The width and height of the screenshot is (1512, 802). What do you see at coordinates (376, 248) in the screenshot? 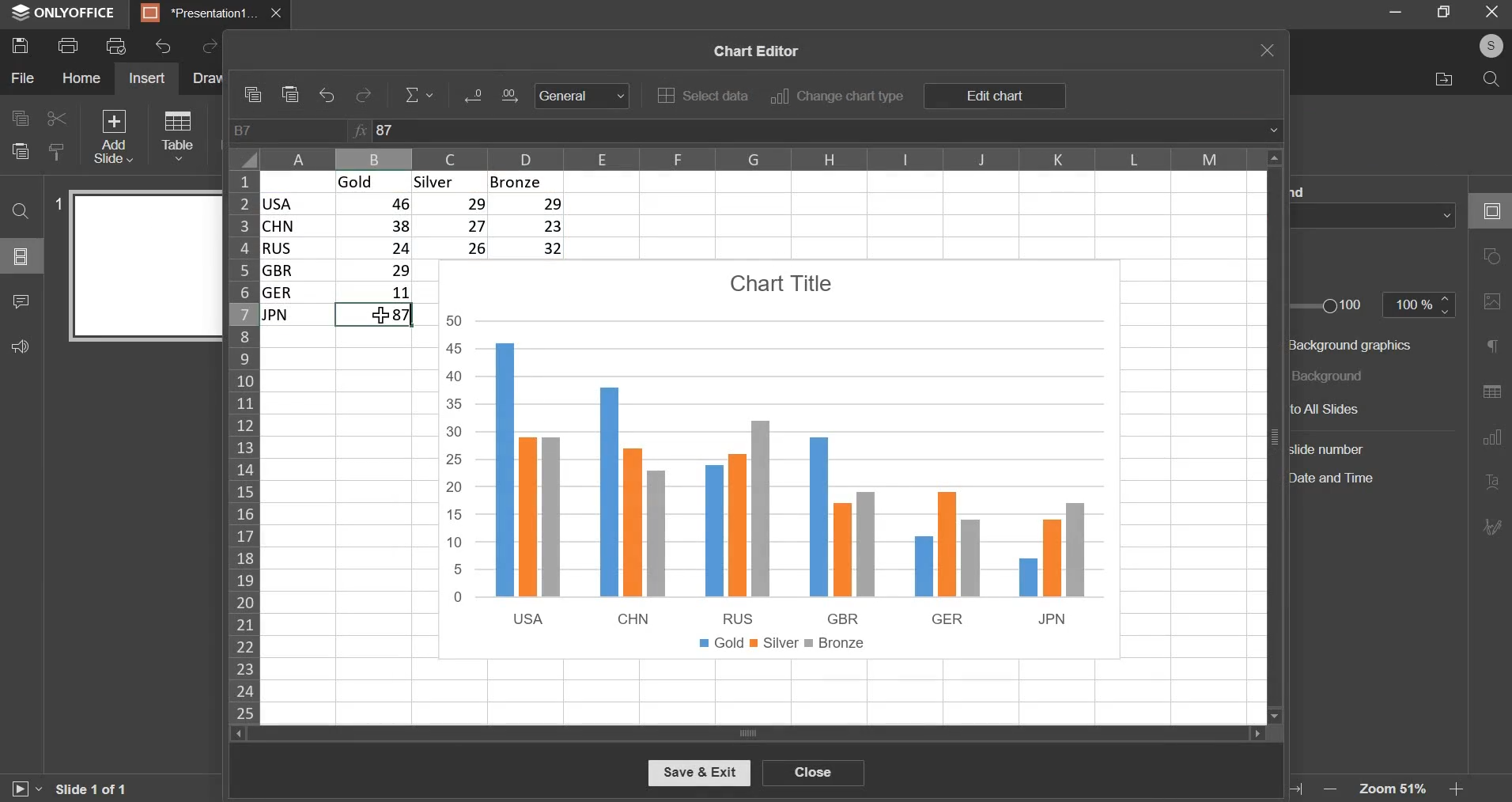
I see `24` at bounding box center [376, 248].